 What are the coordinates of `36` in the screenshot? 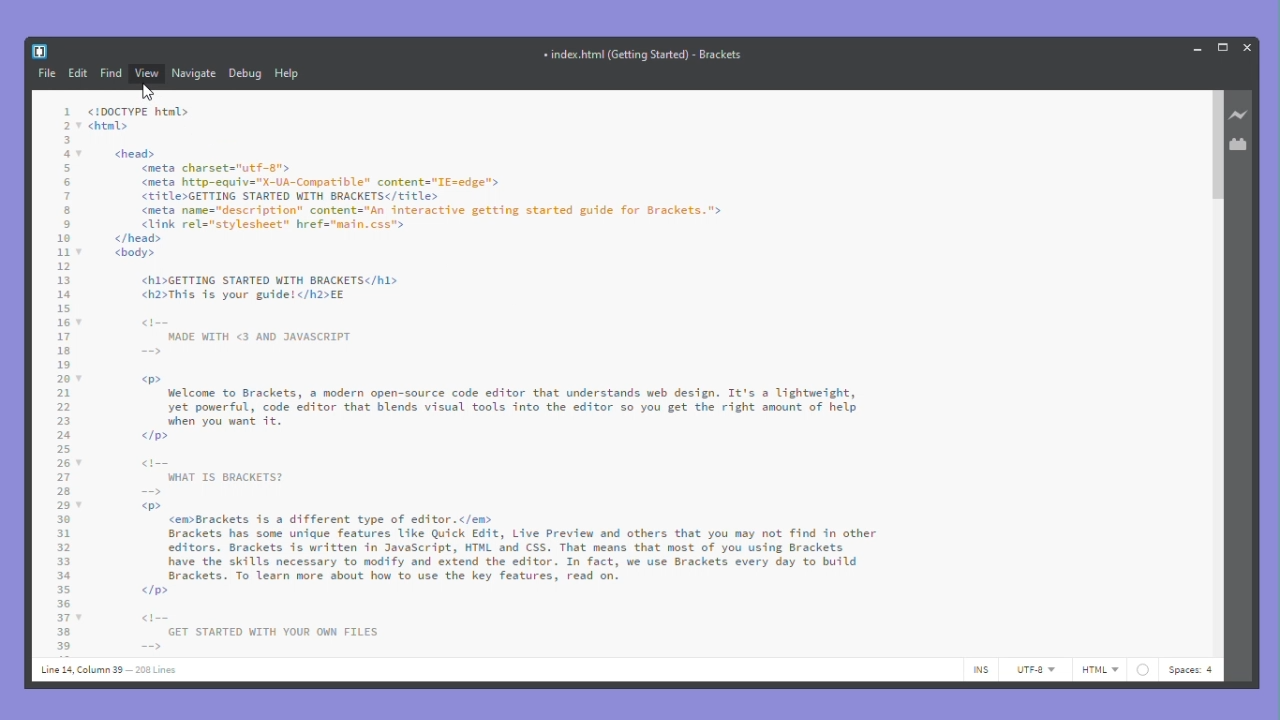 It's located at (63, 603).